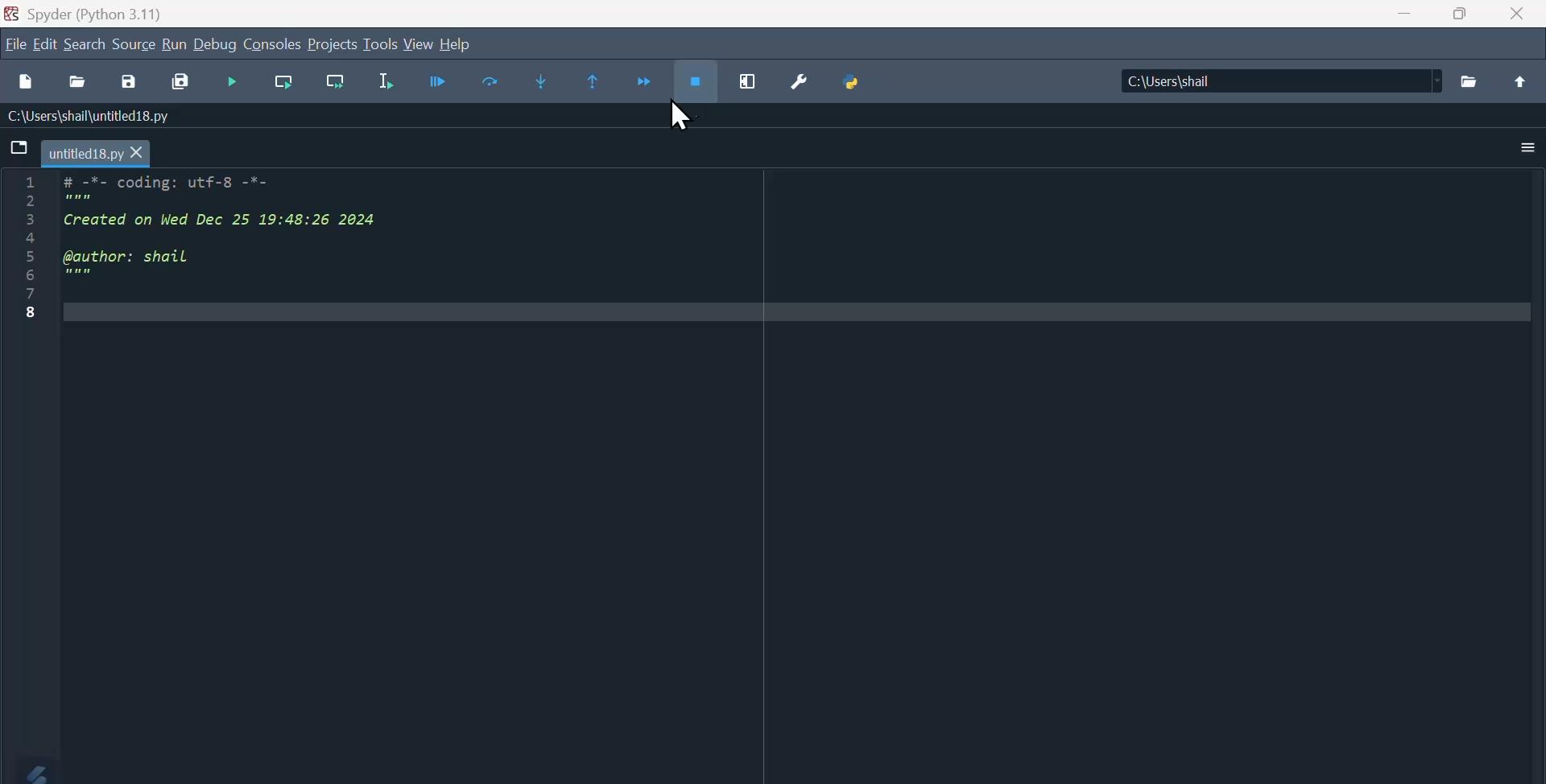 The width and height of the screenshot is (1546, 784). I want to click on Line number, so click(27, 255).